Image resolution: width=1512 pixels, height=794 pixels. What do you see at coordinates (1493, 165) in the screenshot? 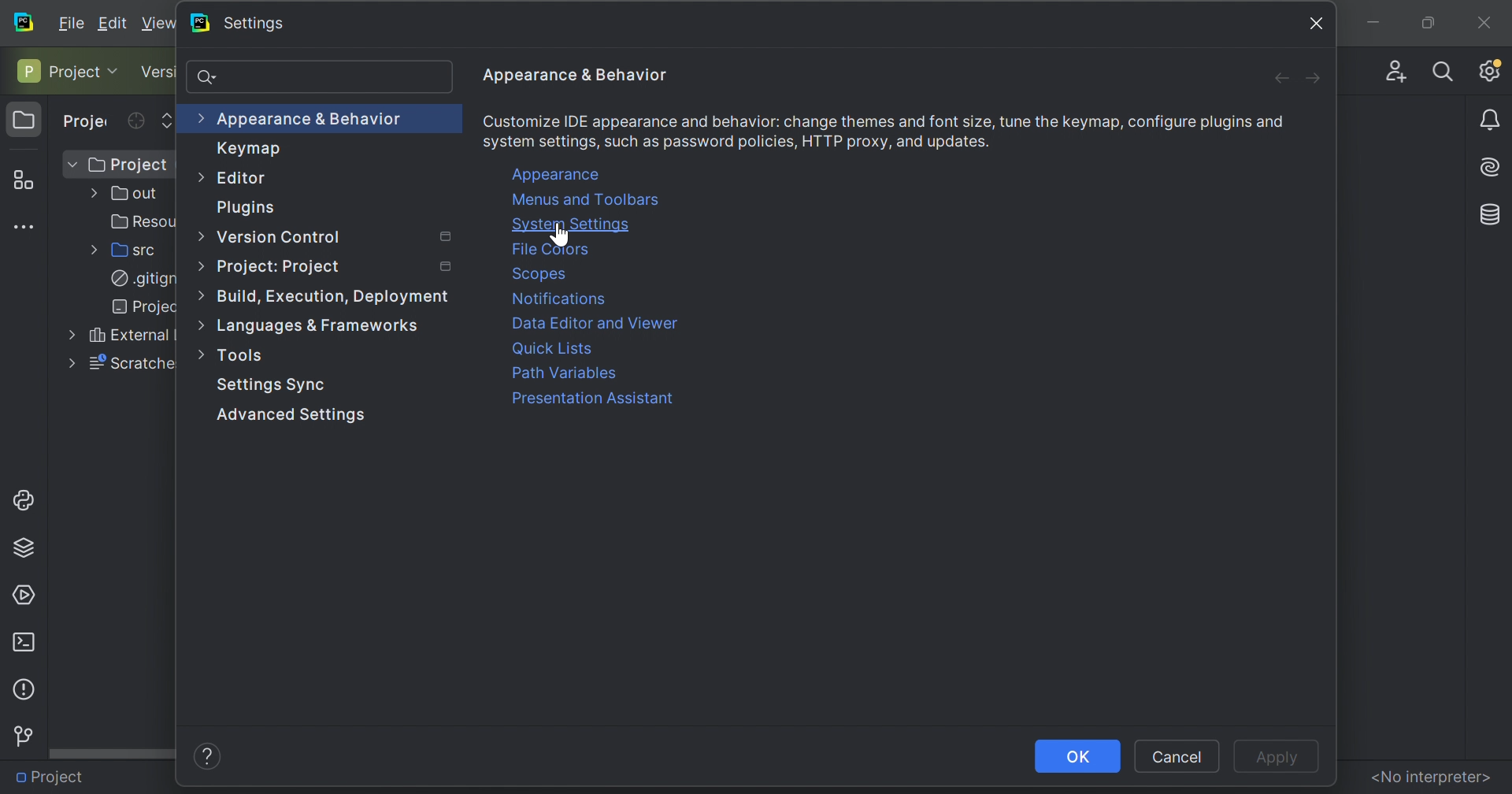
I see `AI assistance` at bounding box center [1493, 165].